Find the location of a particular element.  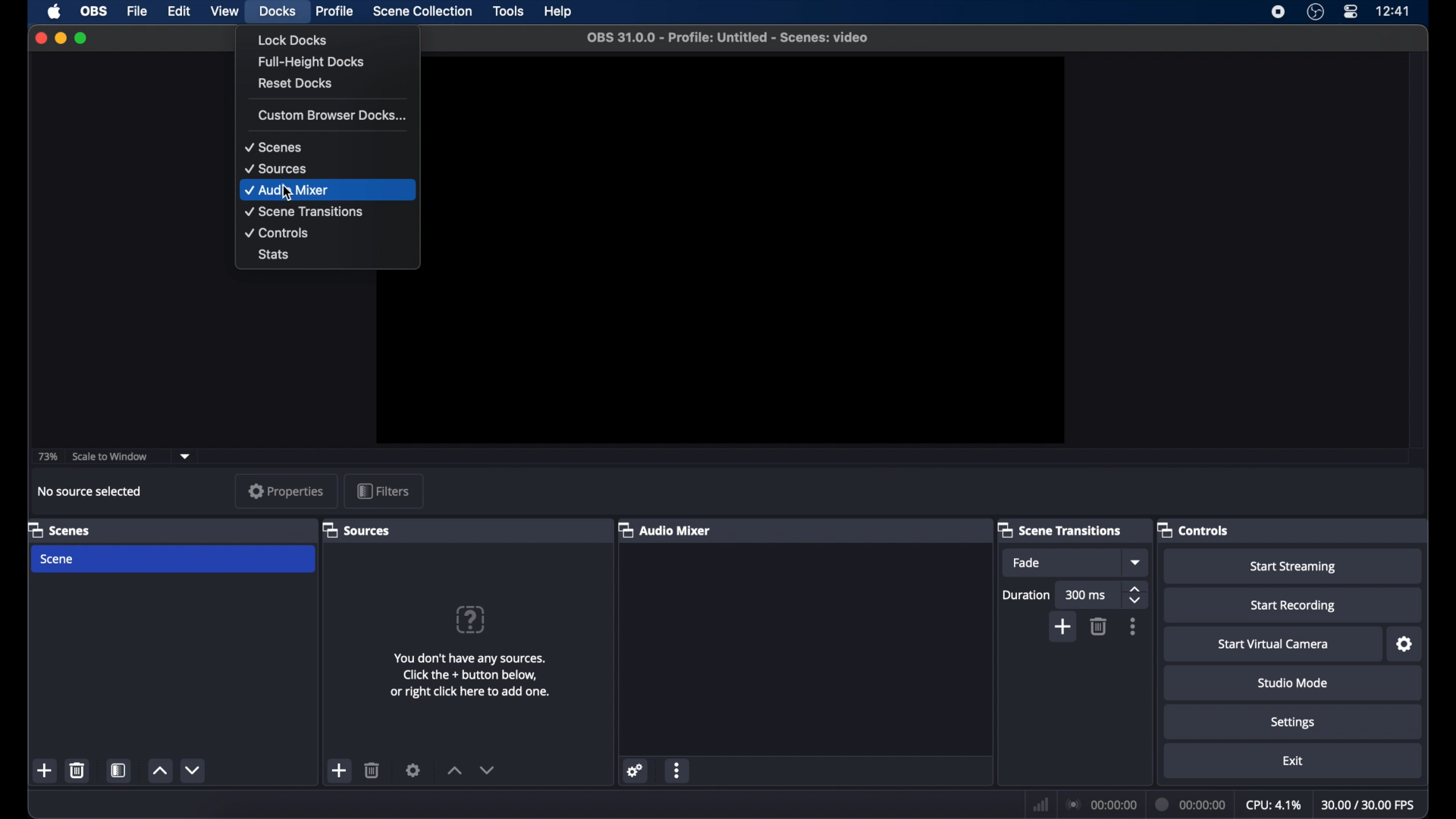

delete is located at coordinates (372, 770).